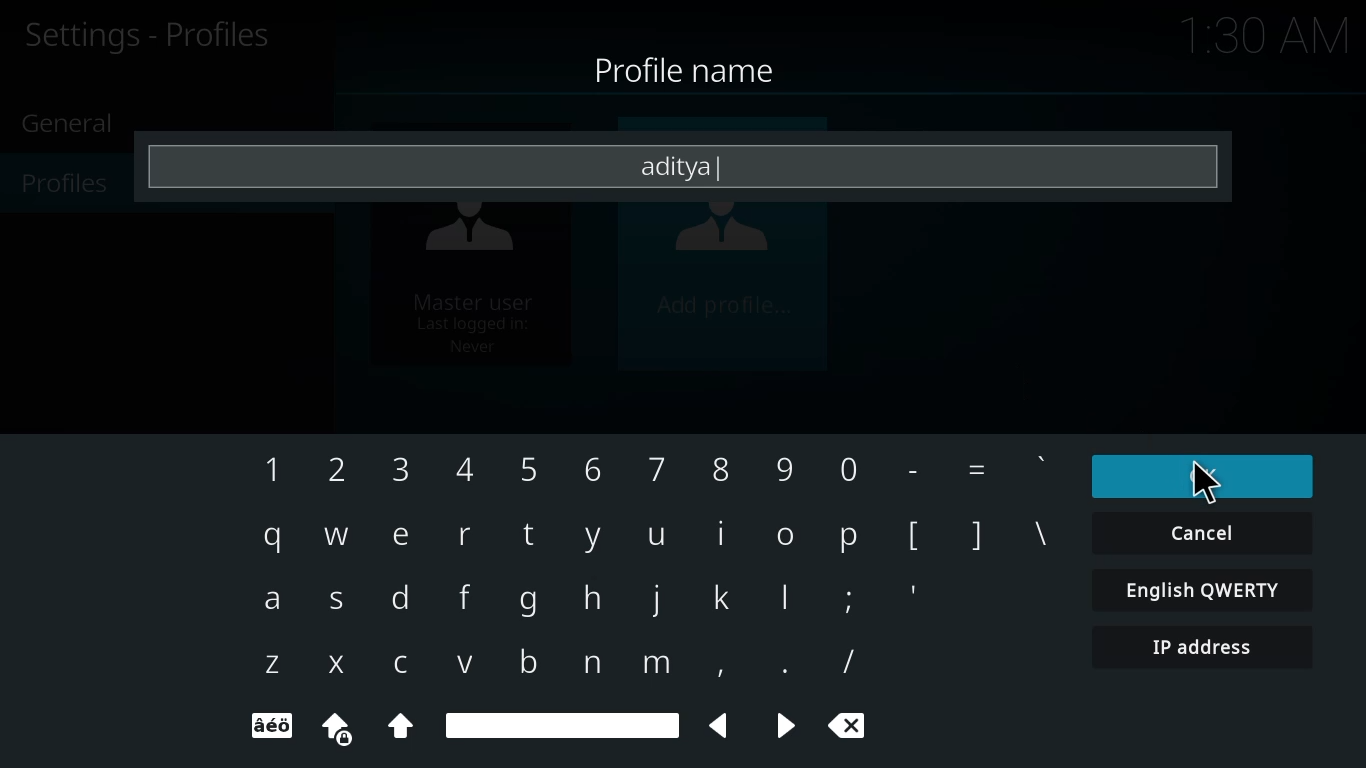  I want to click on 3, so click(402, 473).